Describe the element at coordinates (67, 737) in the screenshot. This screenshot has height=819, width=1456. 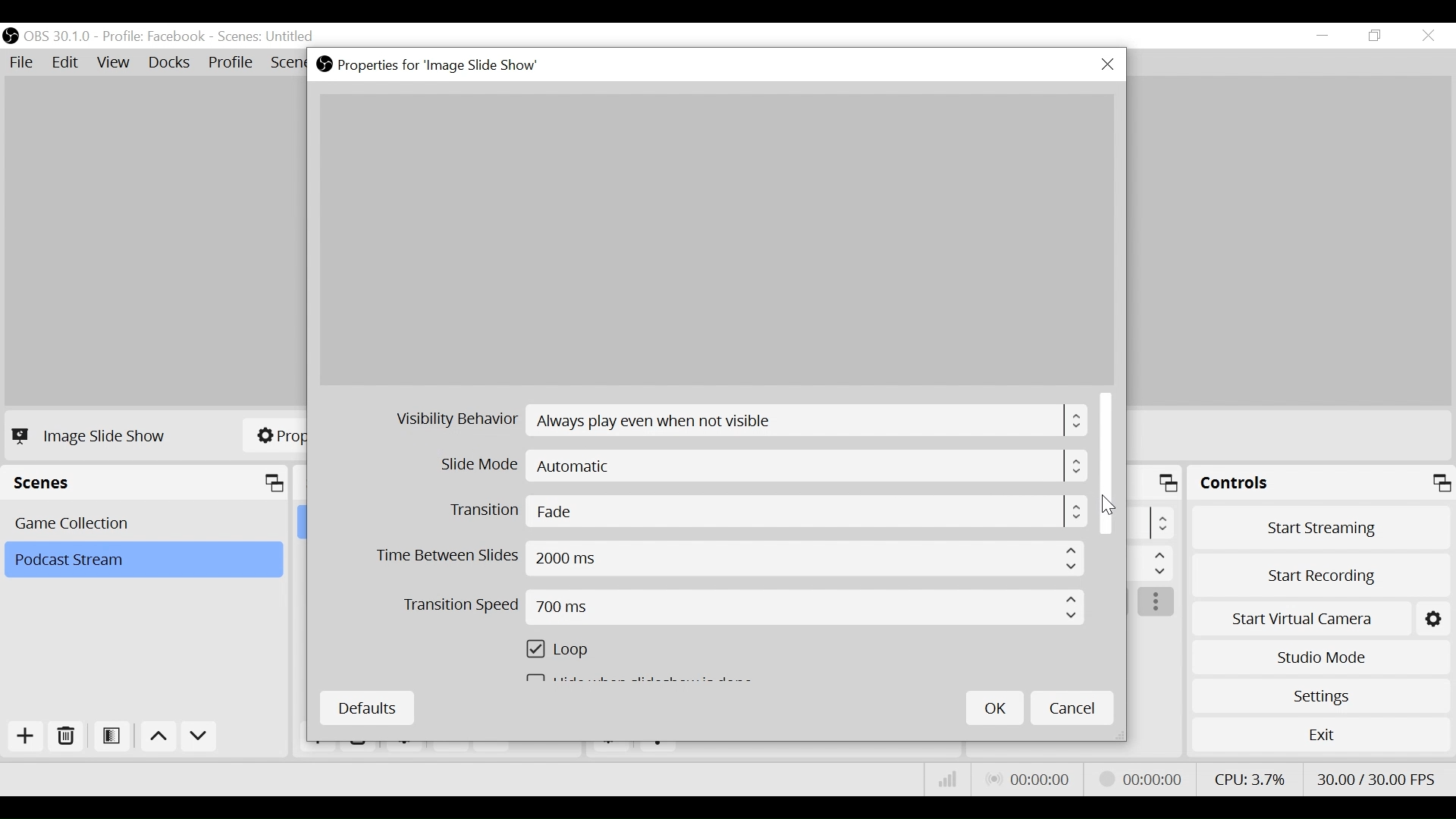
I see `Remove` at that location.